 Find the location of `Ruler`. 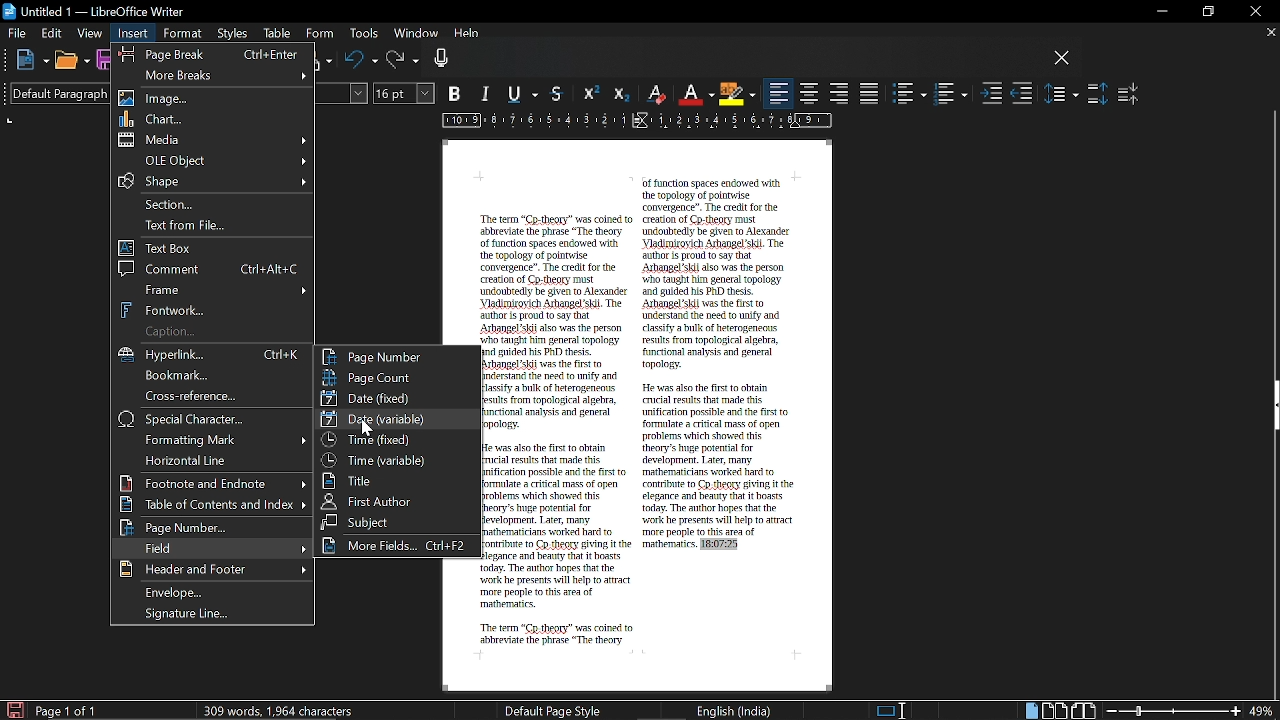

Ruler is located at coordinates (633, 122).